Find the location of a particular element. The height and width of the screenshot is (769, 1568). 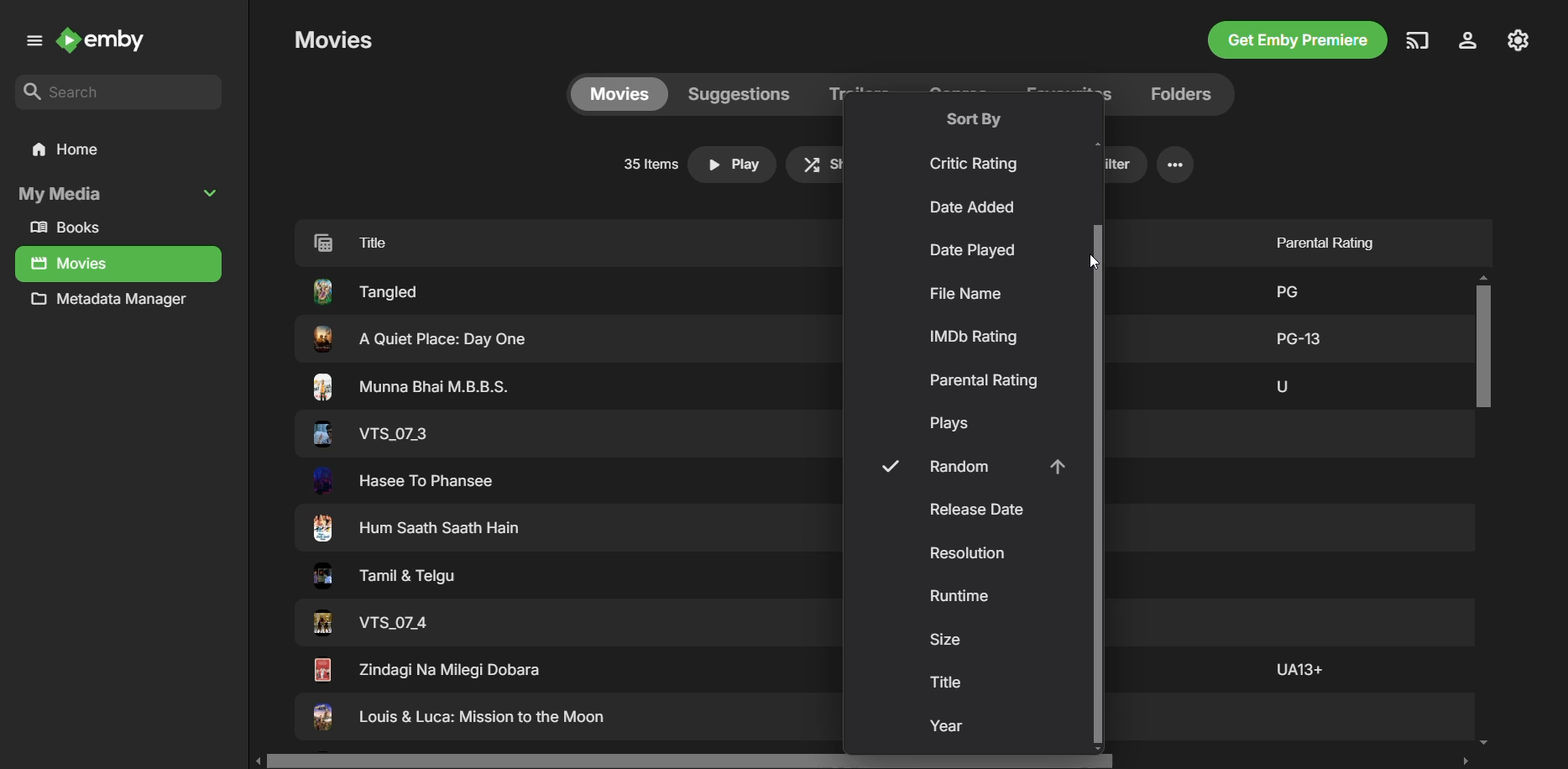

 is located at coordinates (458, 719).